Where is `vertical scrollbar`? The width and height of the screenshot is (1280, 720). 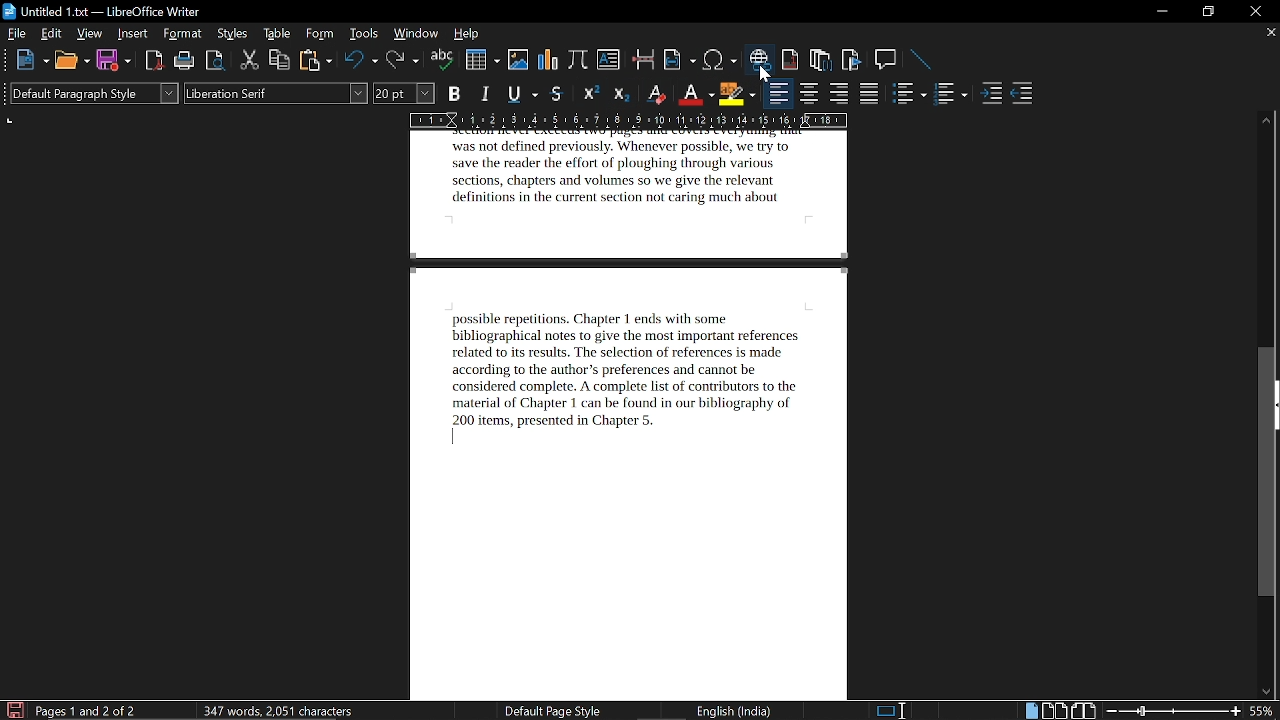
vertical scrollbar is located at coordinates (1267, 474).